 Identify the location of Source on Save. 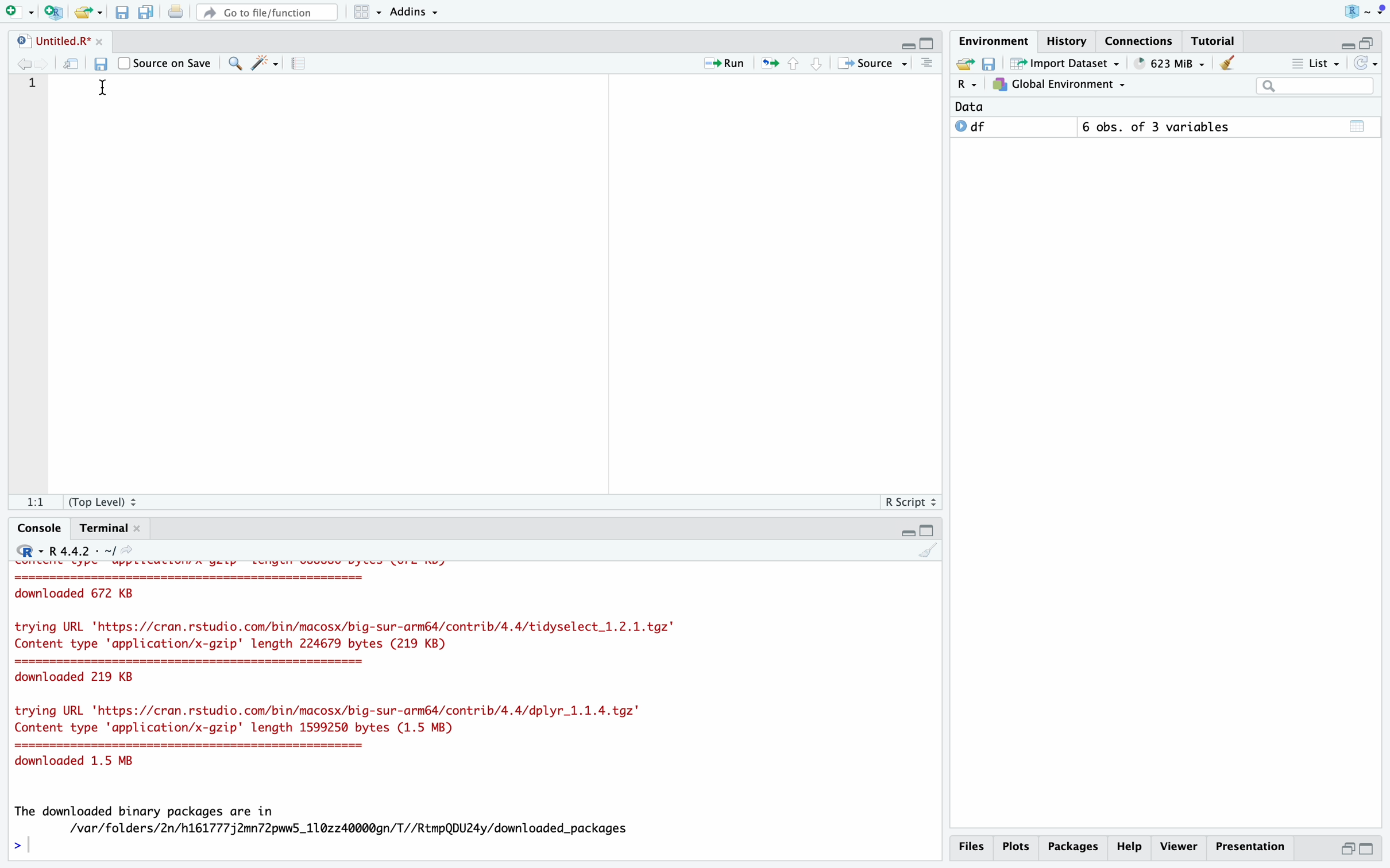
(163, 62).